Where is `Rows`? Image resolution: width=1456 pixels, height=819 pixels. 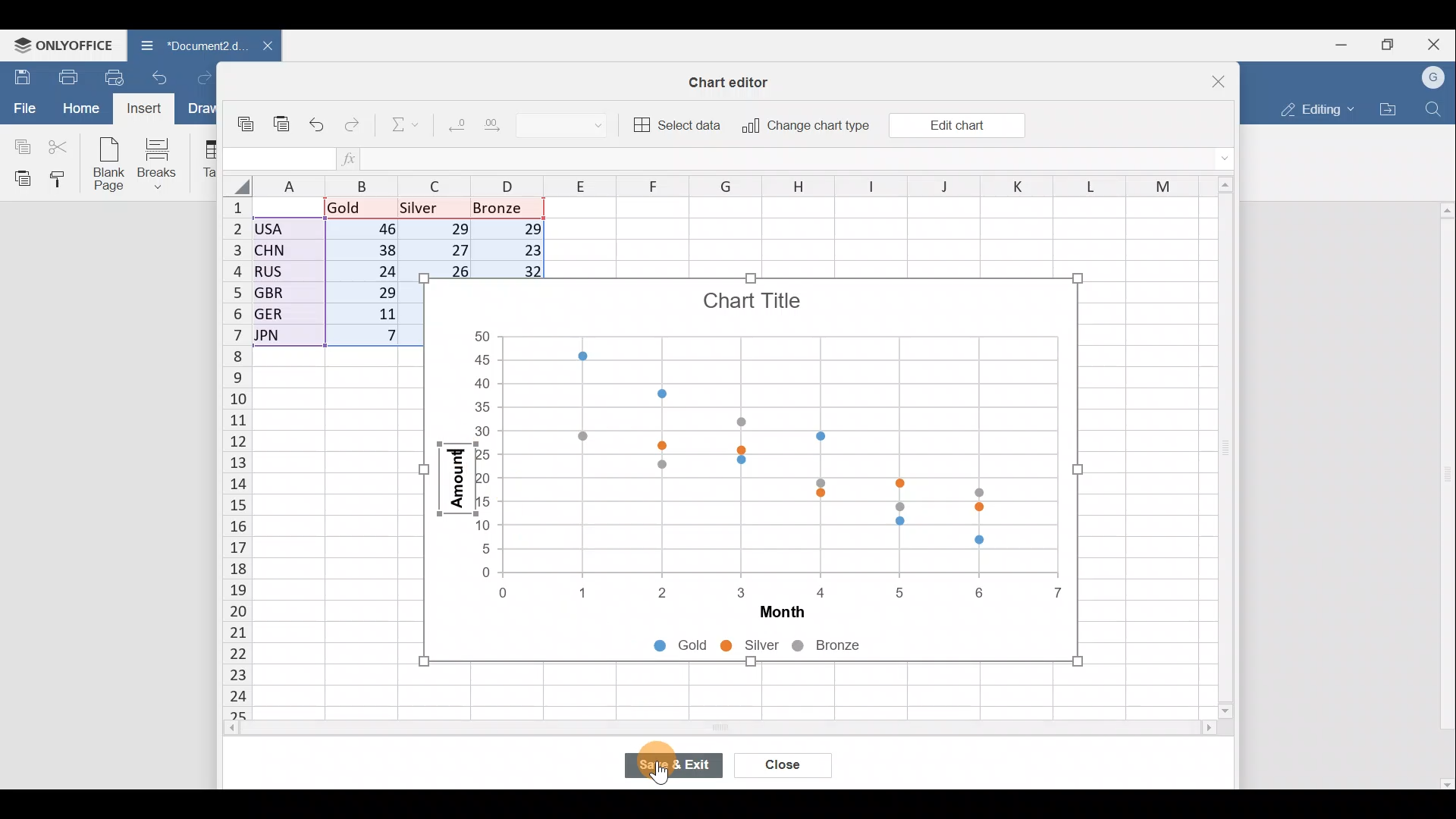
Rows is located at coordinates (226, 463).